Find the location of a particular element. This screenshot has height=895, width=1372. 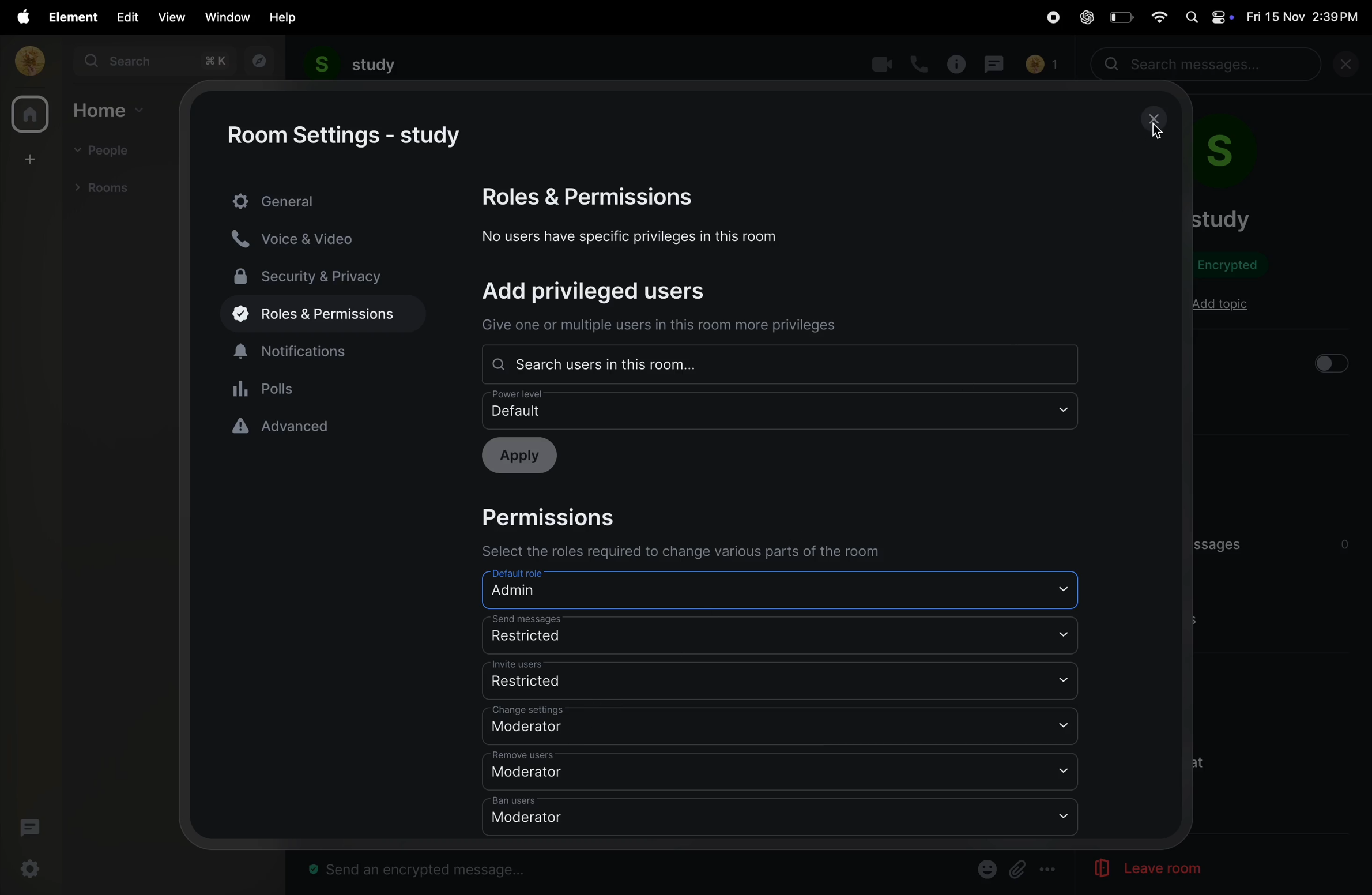

search is located at coordinates (153, 61).